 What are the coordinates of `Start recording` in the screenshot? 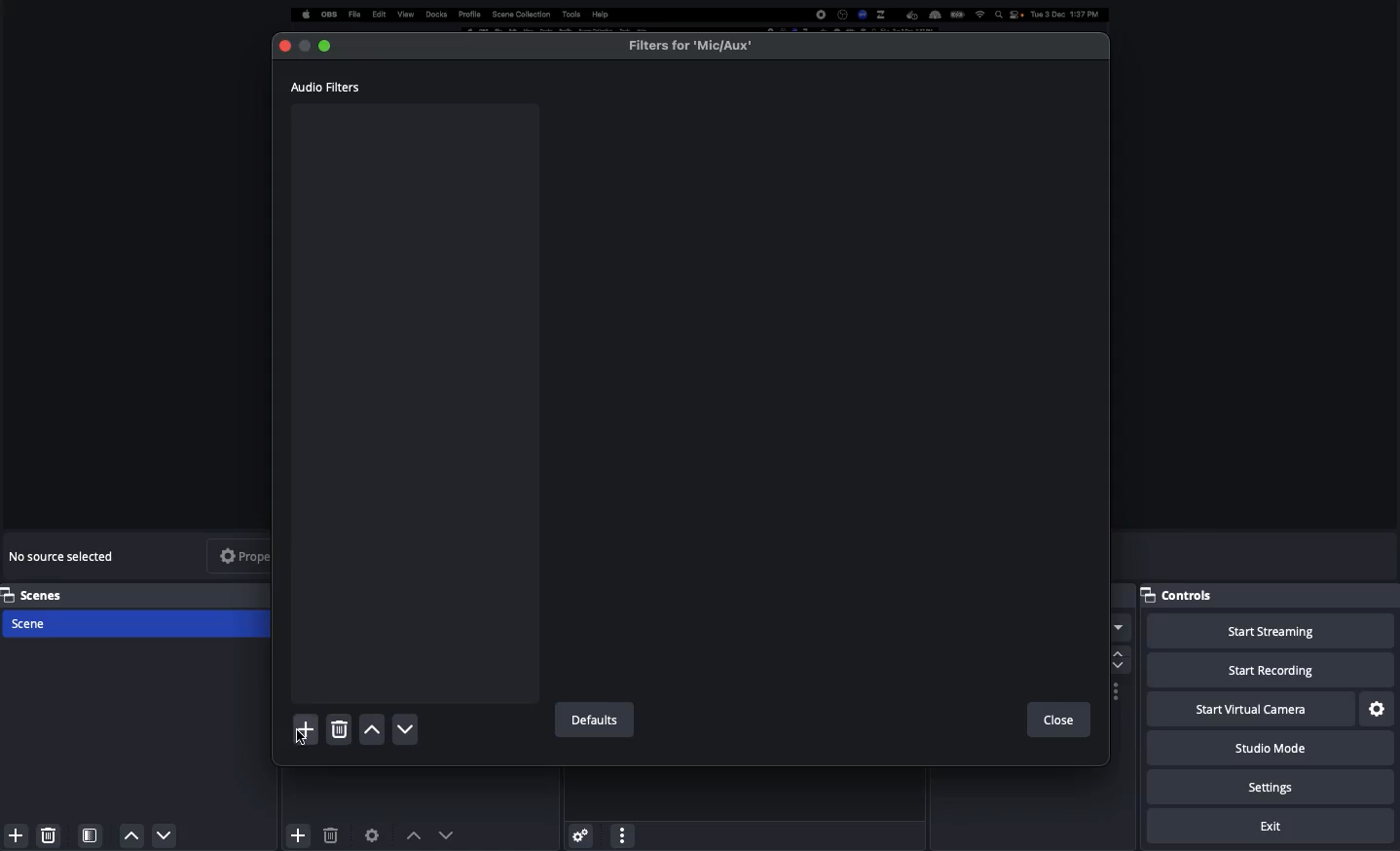 It's located at (1271, 672).